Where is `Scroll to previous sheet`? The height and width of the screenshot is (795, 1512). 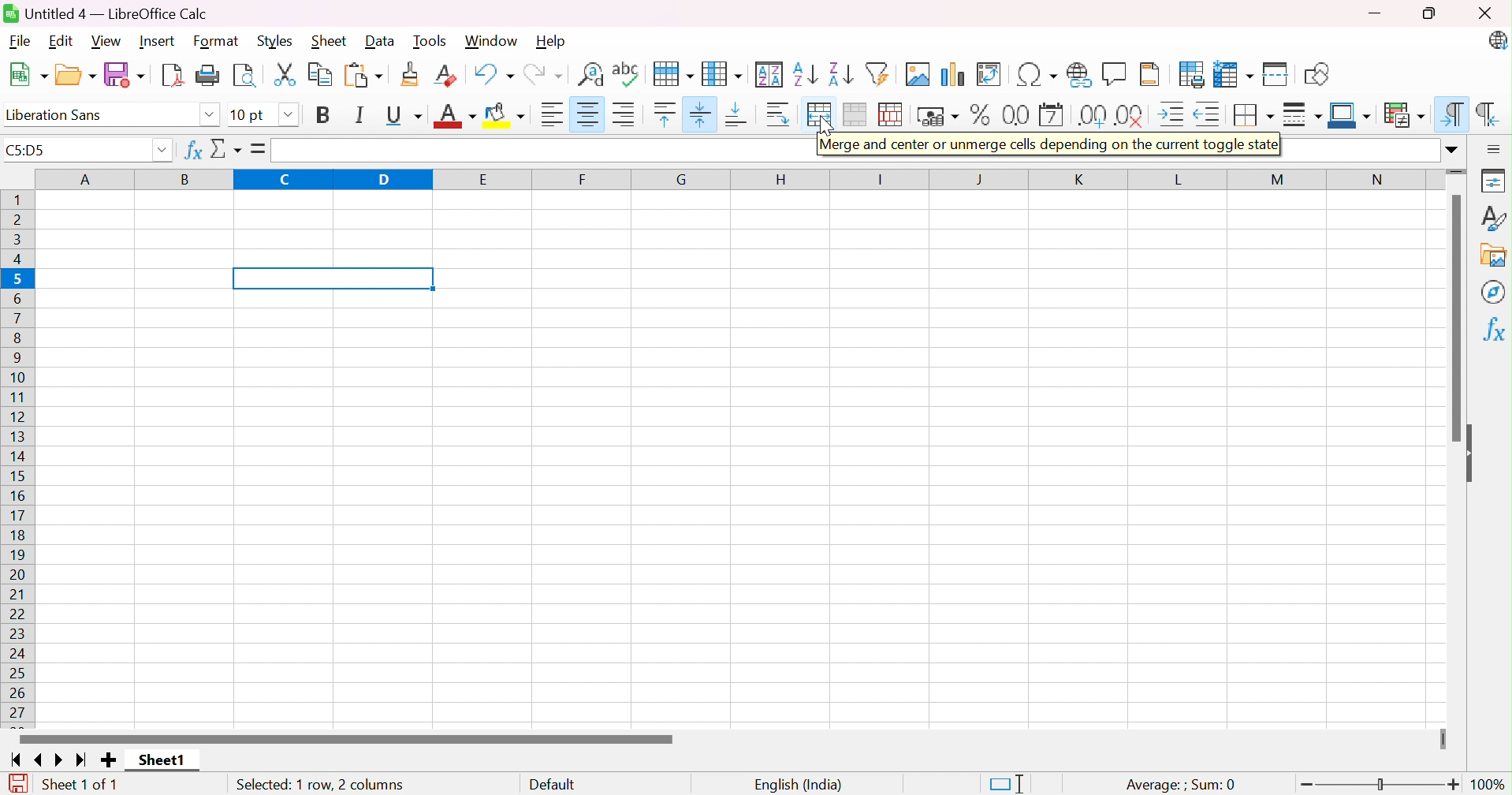
Scroll to previous sheet is located at coordinates (40, 762).